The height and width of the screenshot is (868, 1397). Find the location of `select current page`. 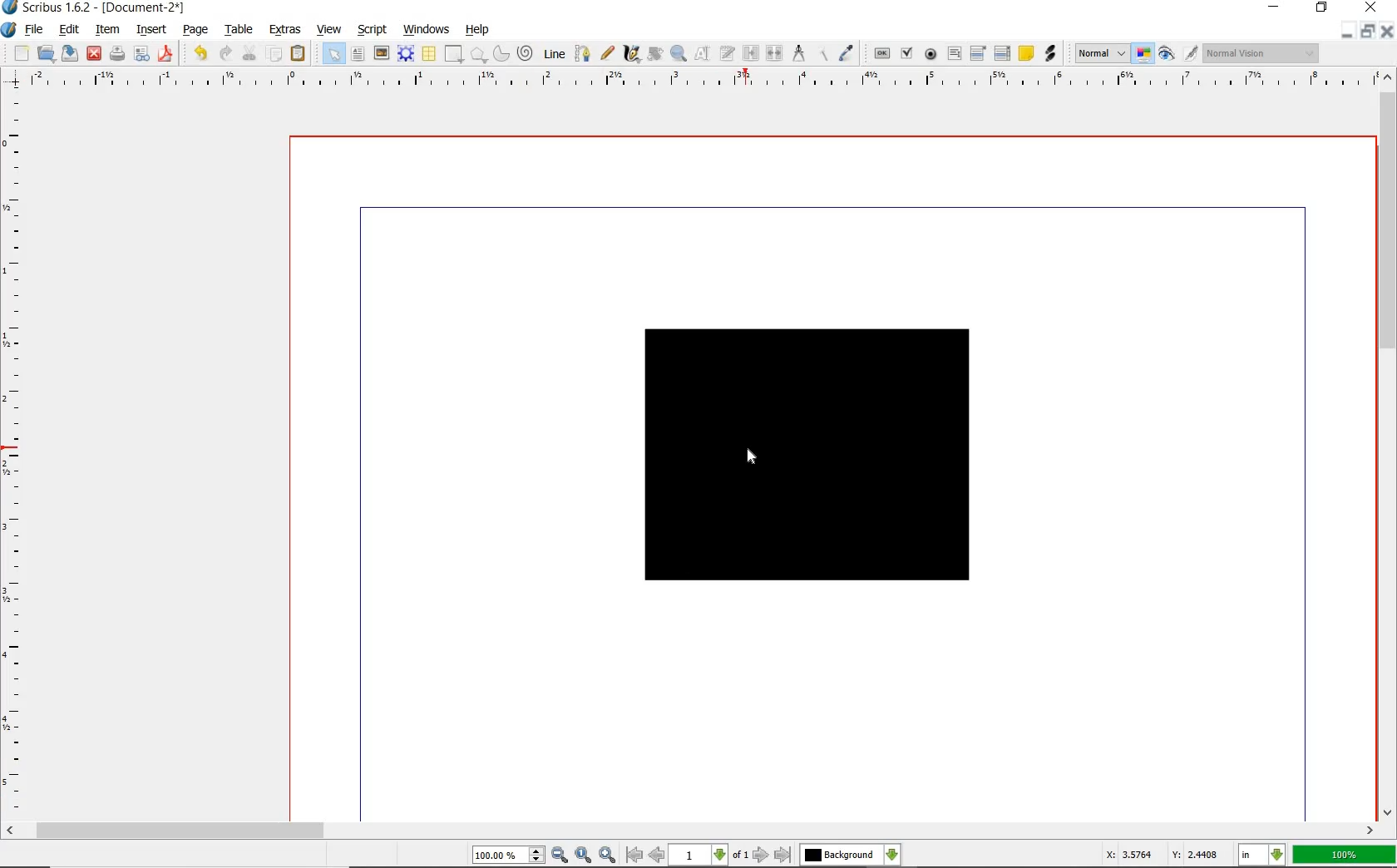

select current page is located at coordinates (708, 856).